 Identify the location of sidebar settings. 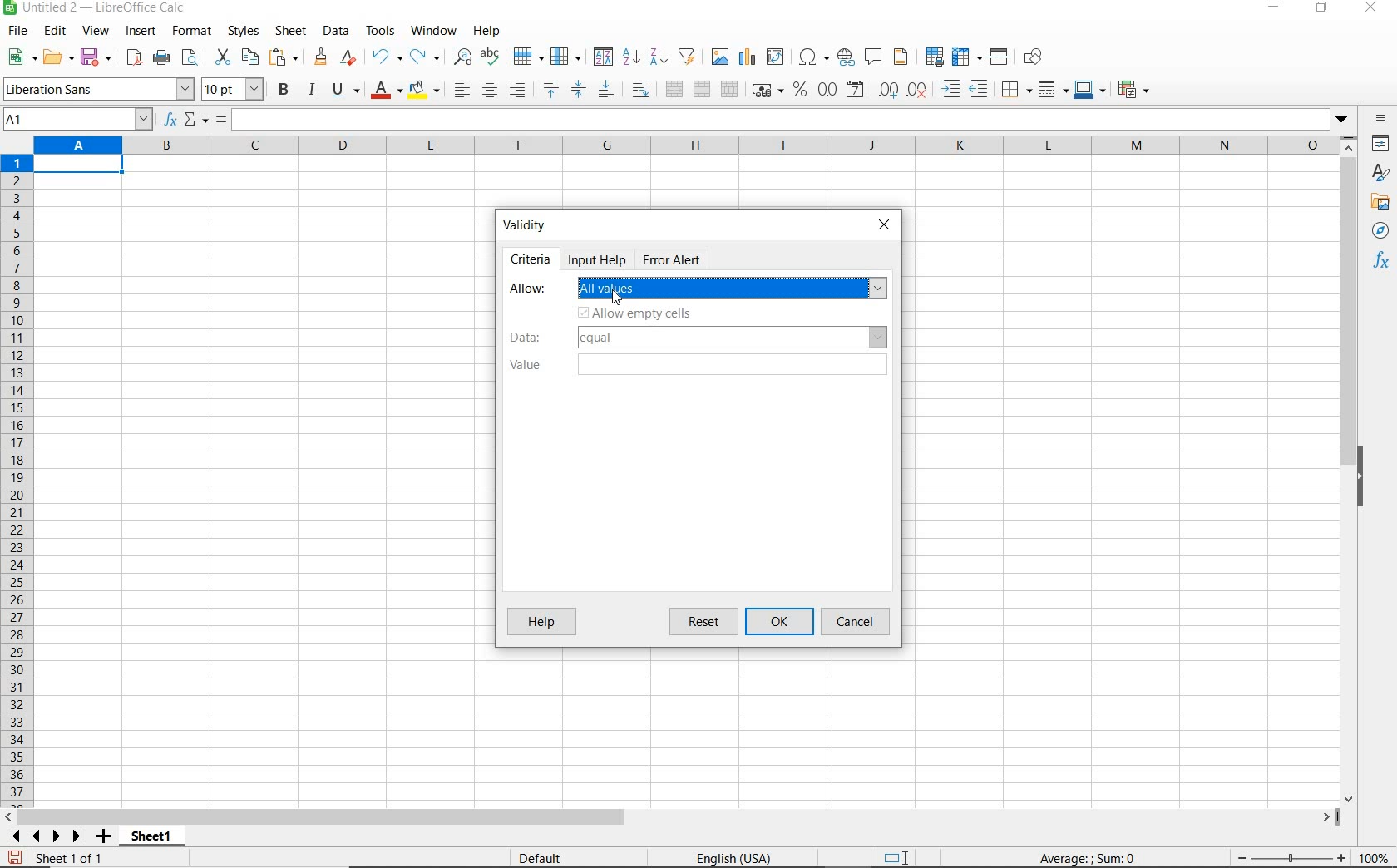
(1381, 120).